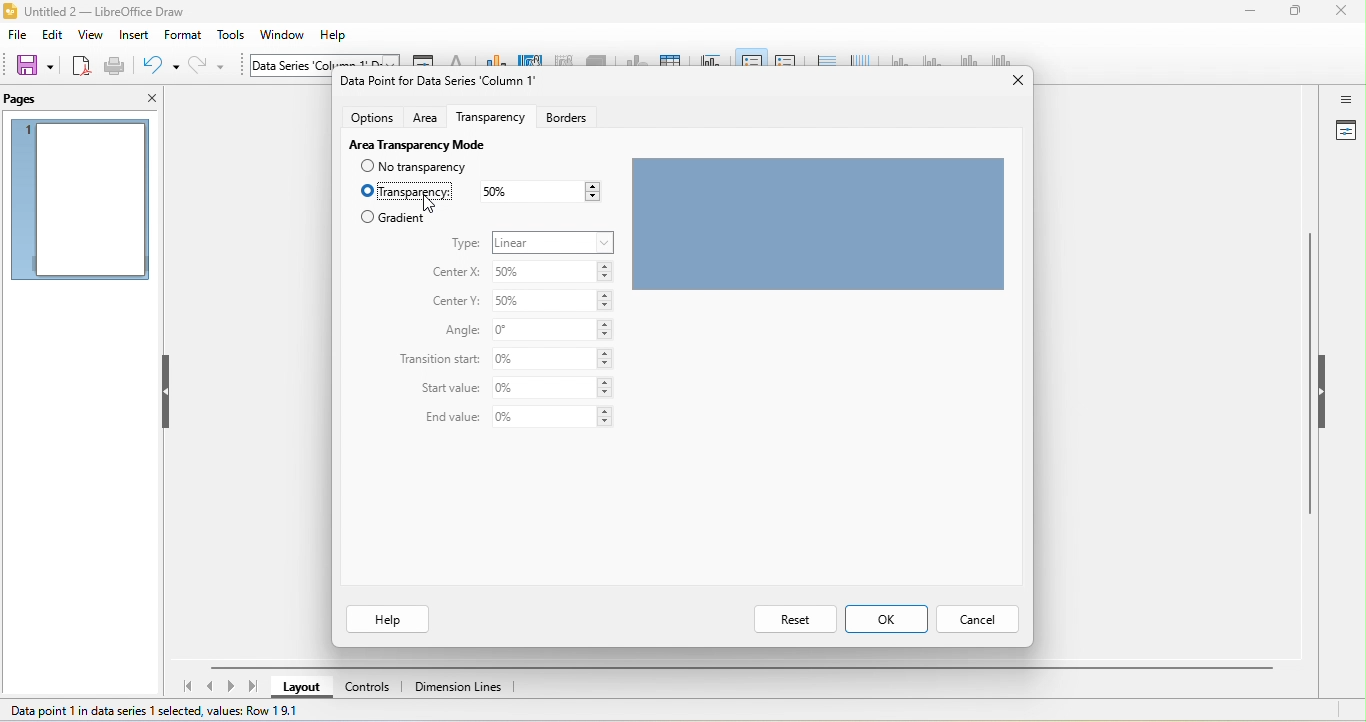 This screenshot has height=722, width=1366. Describe the element at coordinates (463, 241) in the screenshot. I see `type` at that location.